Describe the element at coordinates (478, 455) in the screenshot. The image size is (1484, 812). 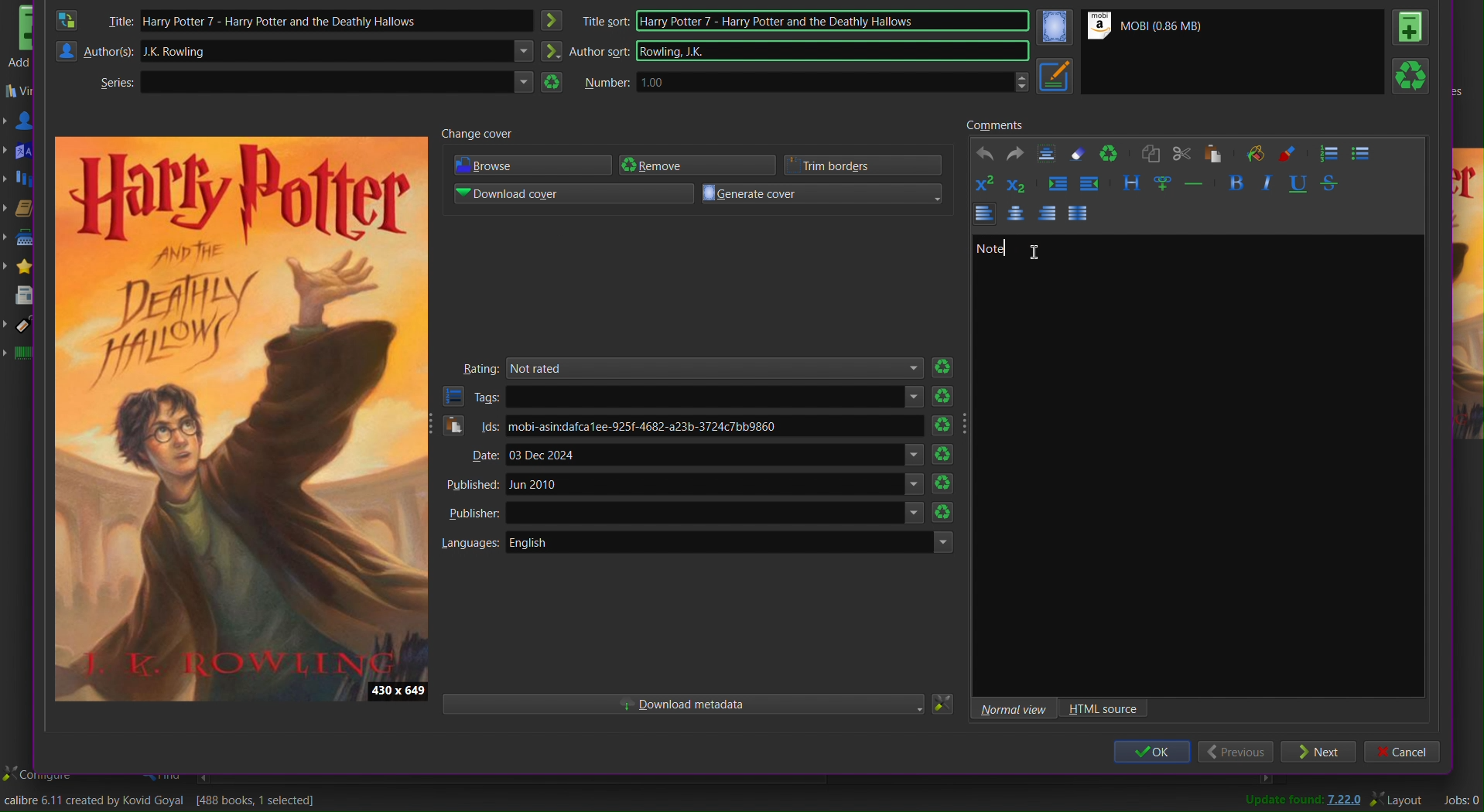
I see `Date` at that location.